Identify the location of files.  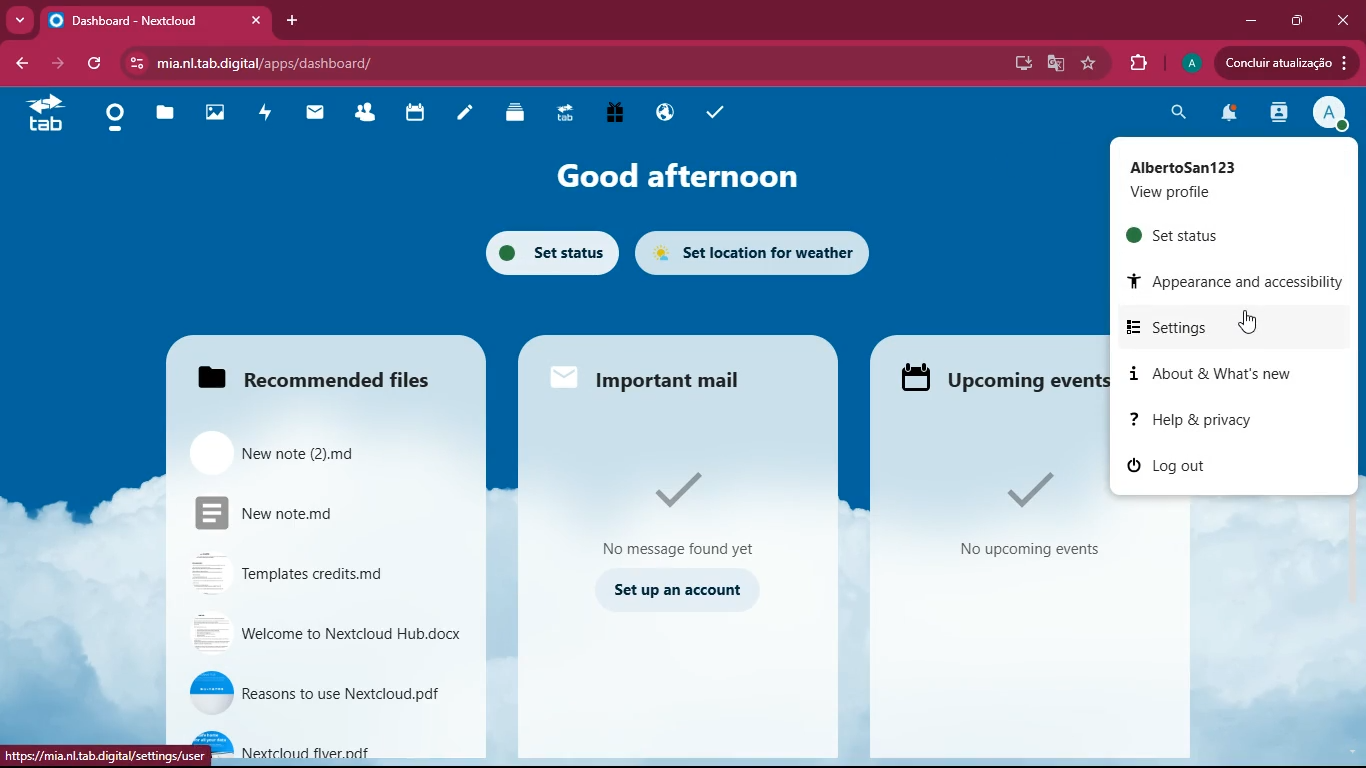
(161, 117).